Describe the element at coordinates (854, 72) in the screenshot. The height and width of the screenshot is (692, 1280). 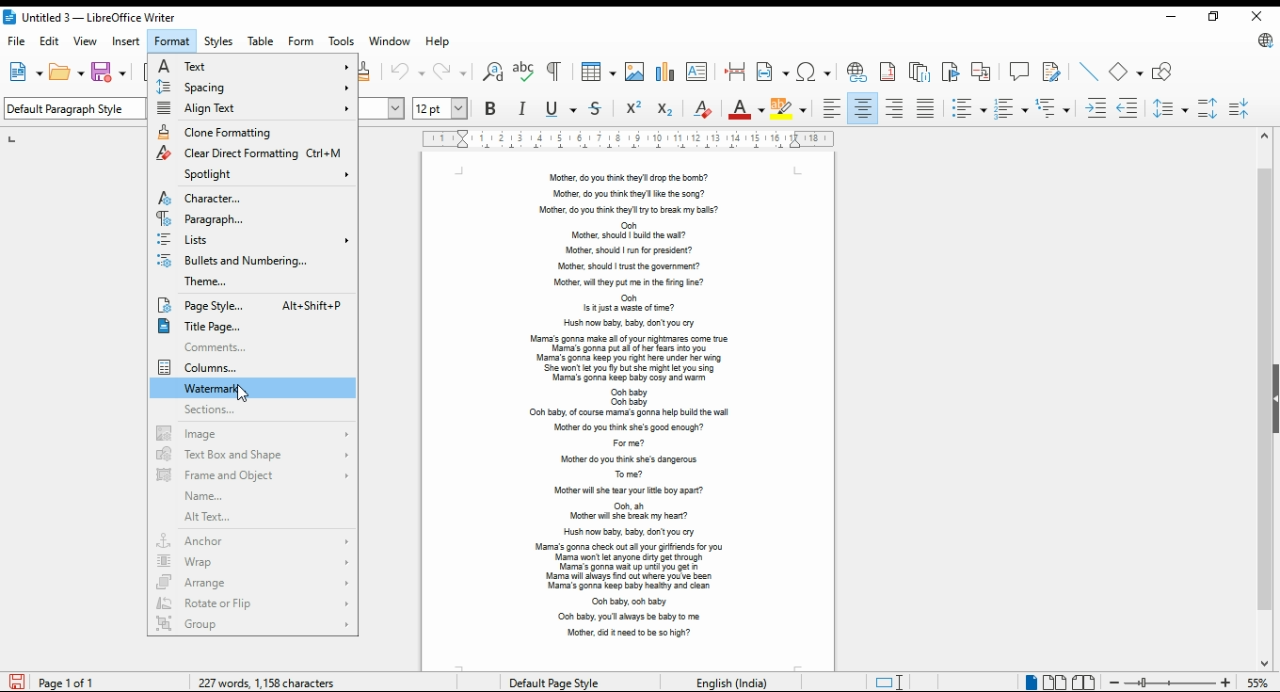
I see `insert hyperlink` at that location.